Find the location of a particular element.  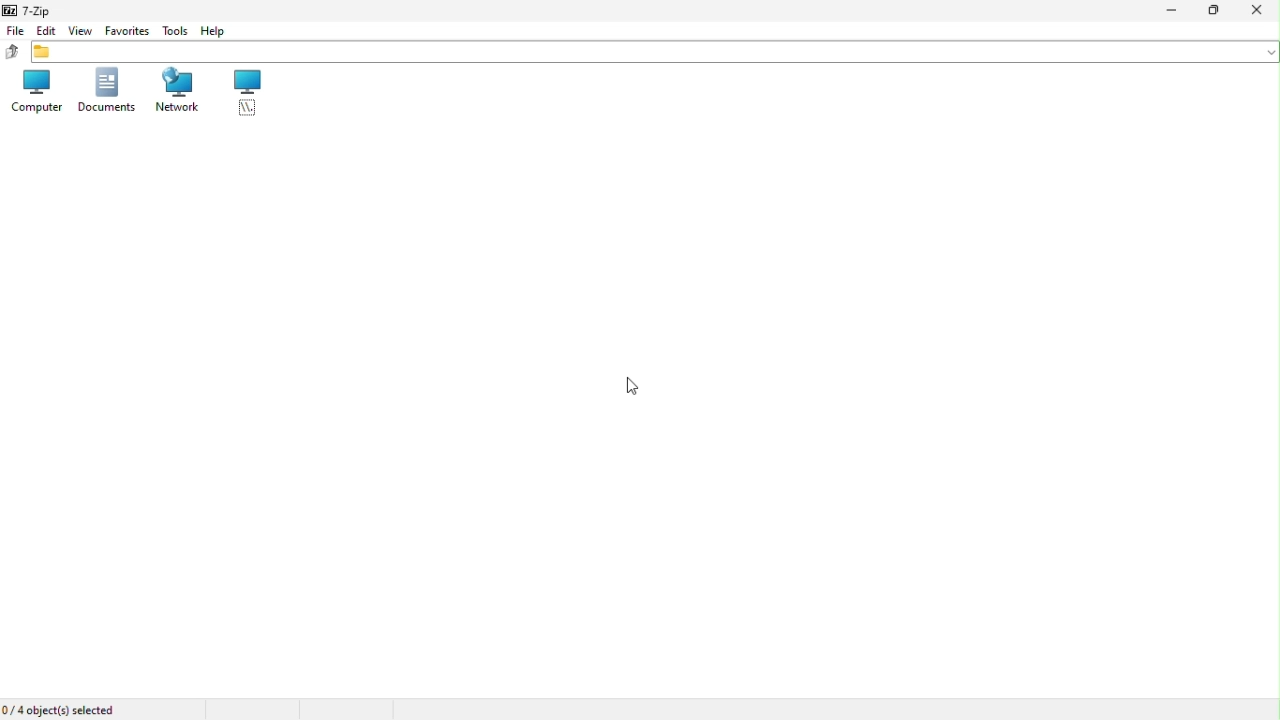

View is located at coordinates (79, 31).